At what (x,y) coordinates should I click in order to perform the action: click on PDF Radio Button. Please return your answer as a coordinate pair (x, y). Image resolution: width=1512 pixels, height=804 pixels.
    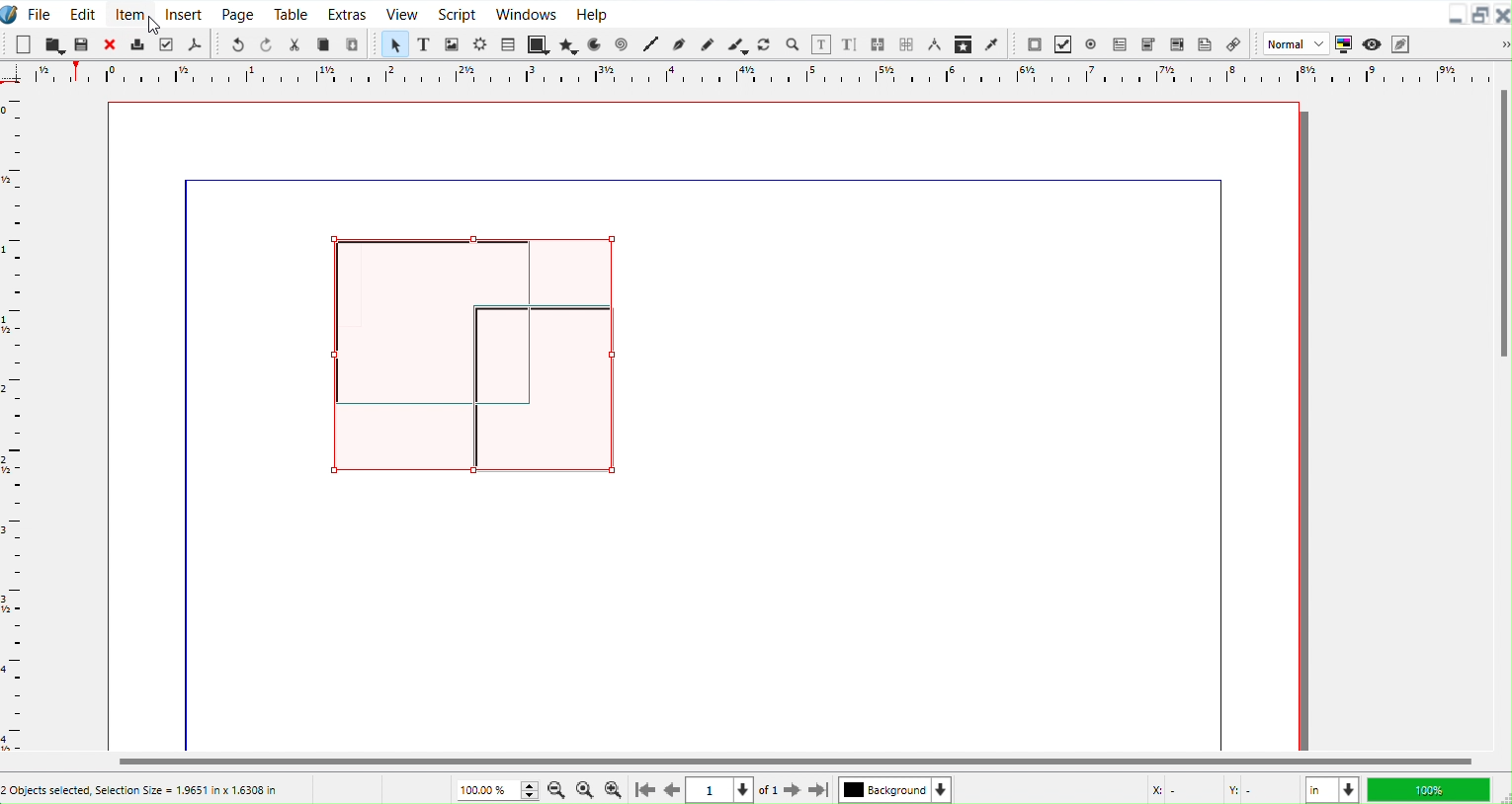
    Looking at the image, I should click on (1091, 43).